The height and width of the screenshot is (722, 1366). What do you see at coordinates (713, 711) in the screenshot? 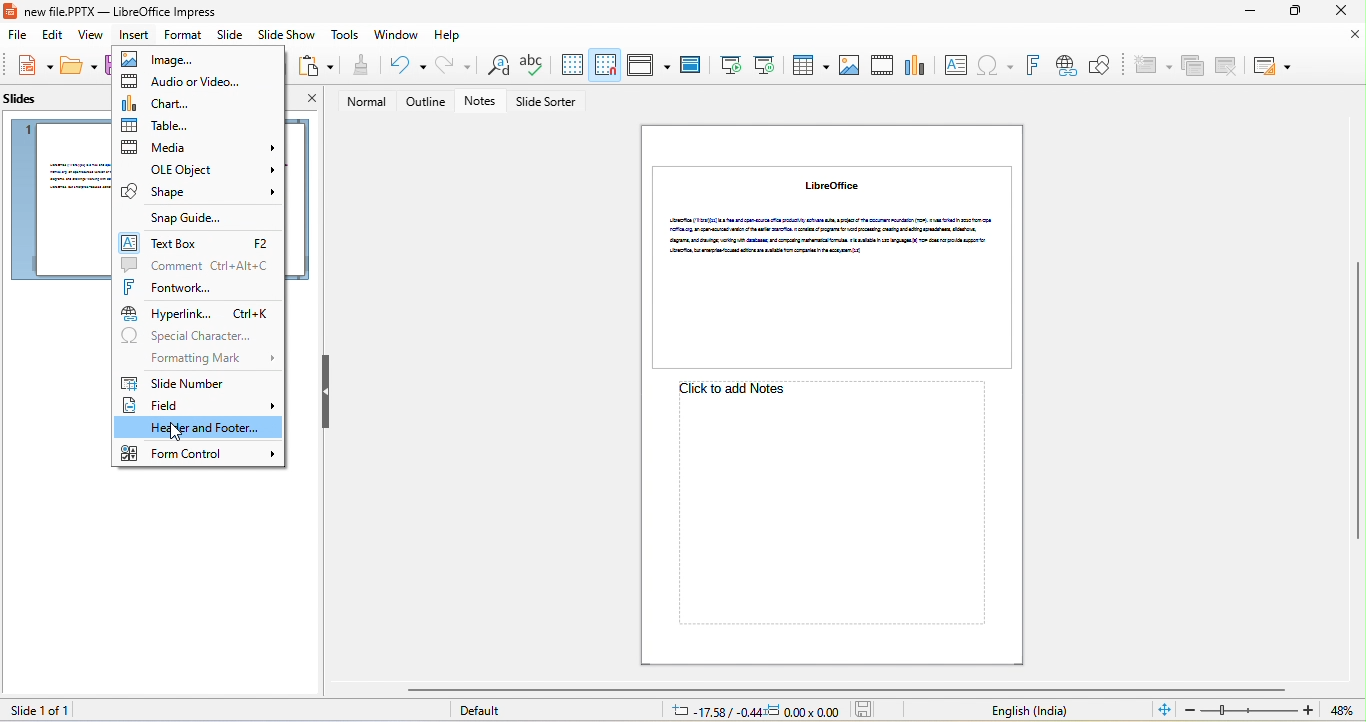
I see `cursor location: -17.58/-0.44` at bounding box center [713, 711].